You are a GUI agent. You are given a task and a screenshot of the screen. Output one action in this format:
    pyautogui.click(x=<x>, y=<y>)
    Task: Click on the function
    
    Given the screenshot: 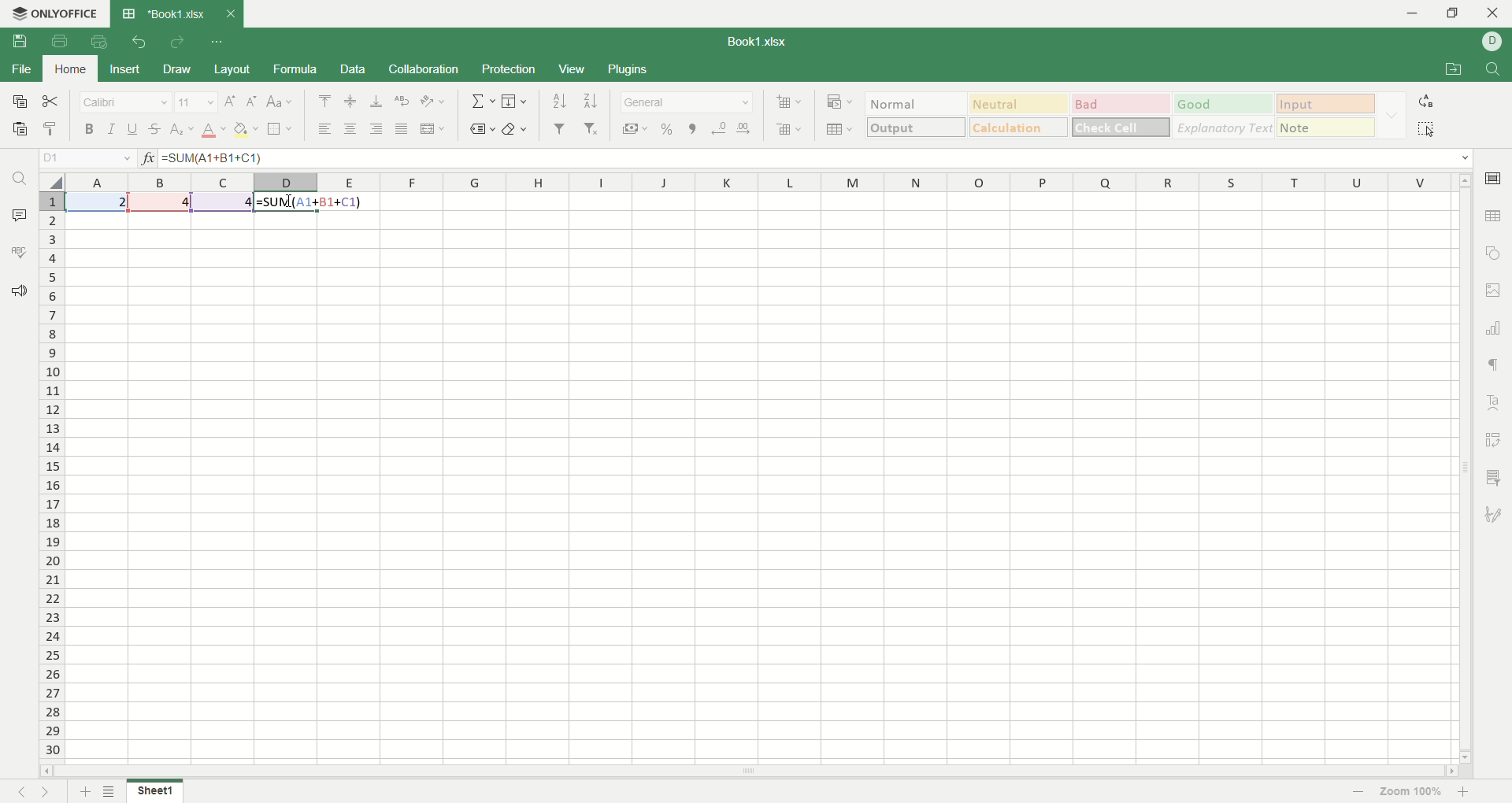 What is the action you would take?
    pyautogui.click(x=145, y=157)
    